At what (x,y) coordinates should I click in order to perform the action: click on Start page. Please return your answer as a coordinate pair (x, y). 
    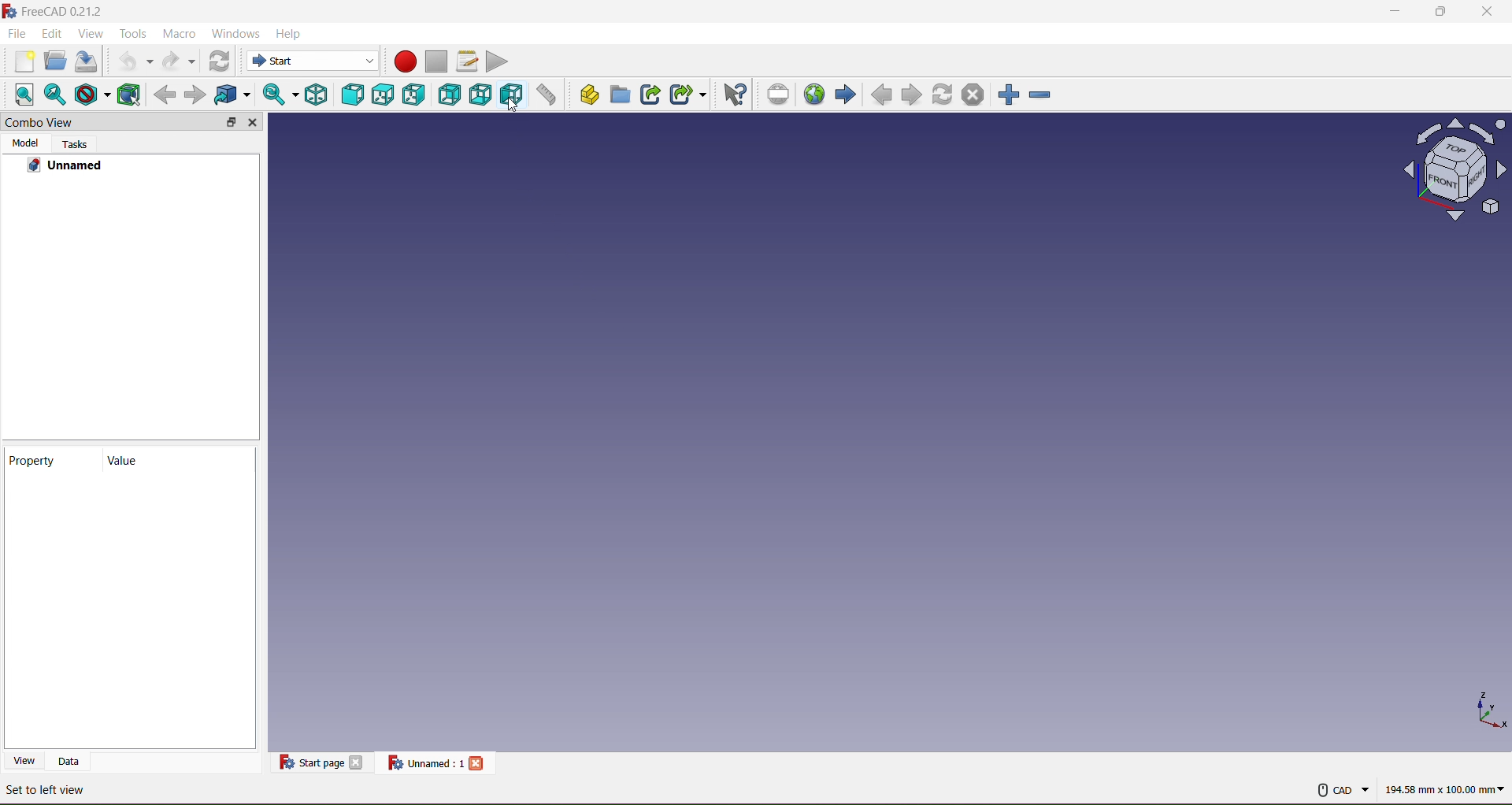
    Looking at the image, I should click on (322, 762).